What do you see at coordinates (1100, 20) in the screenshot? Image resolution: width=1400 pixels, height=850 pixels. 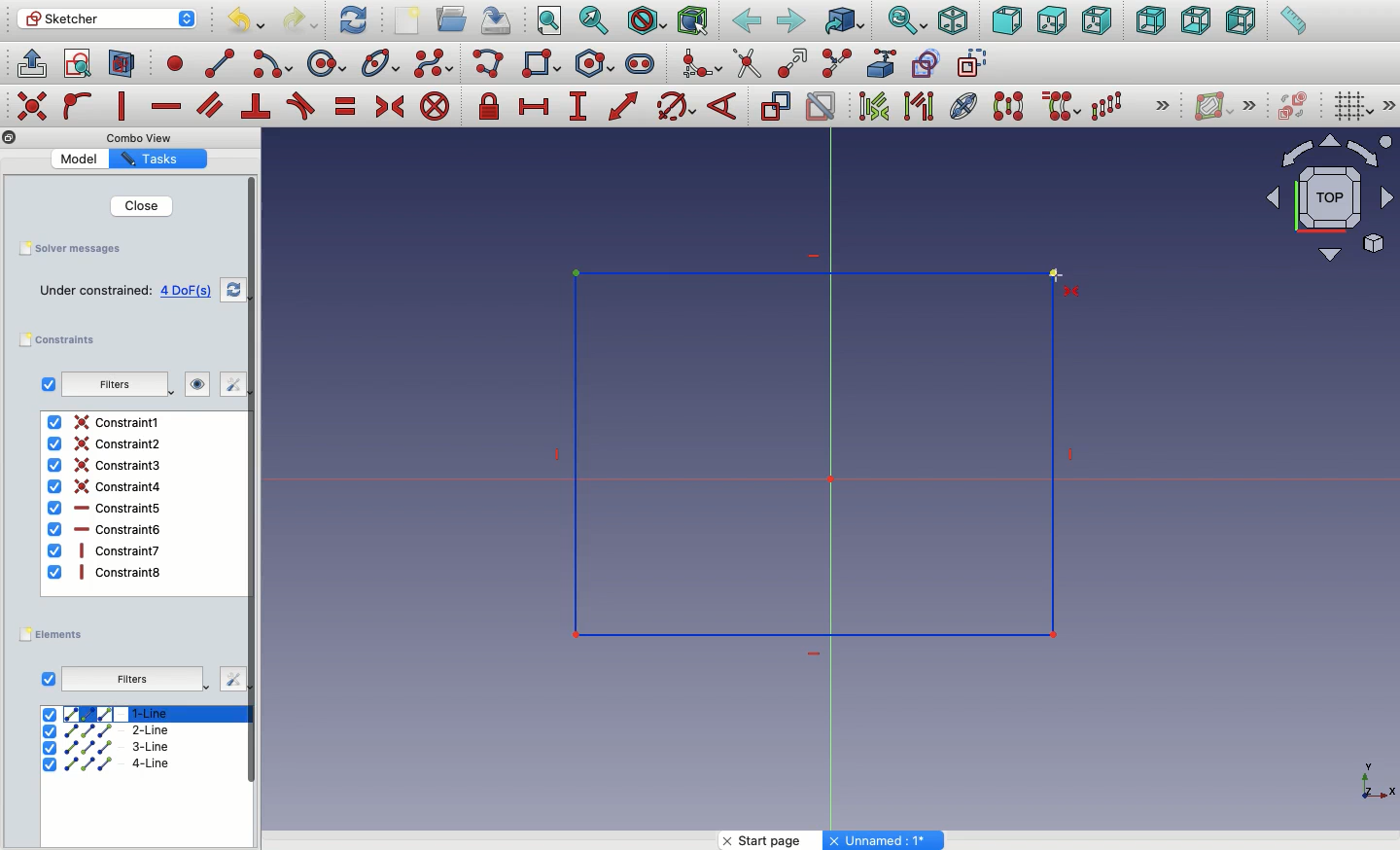 I see `Right` at bounding box center [1100, 20].